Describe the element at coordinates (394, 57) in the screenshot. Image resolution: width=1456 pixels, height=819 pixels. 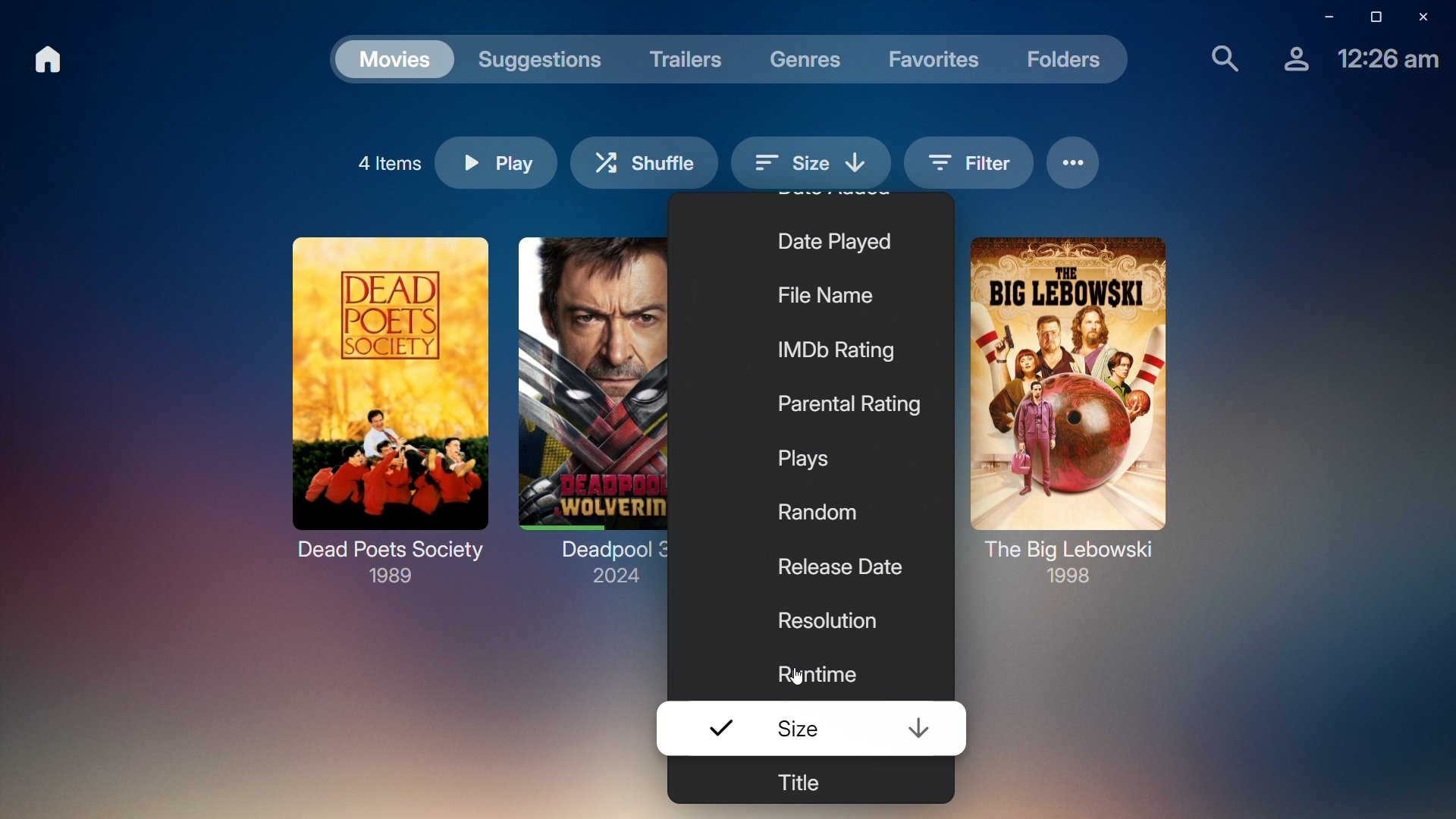
I see `Movies` at that location.